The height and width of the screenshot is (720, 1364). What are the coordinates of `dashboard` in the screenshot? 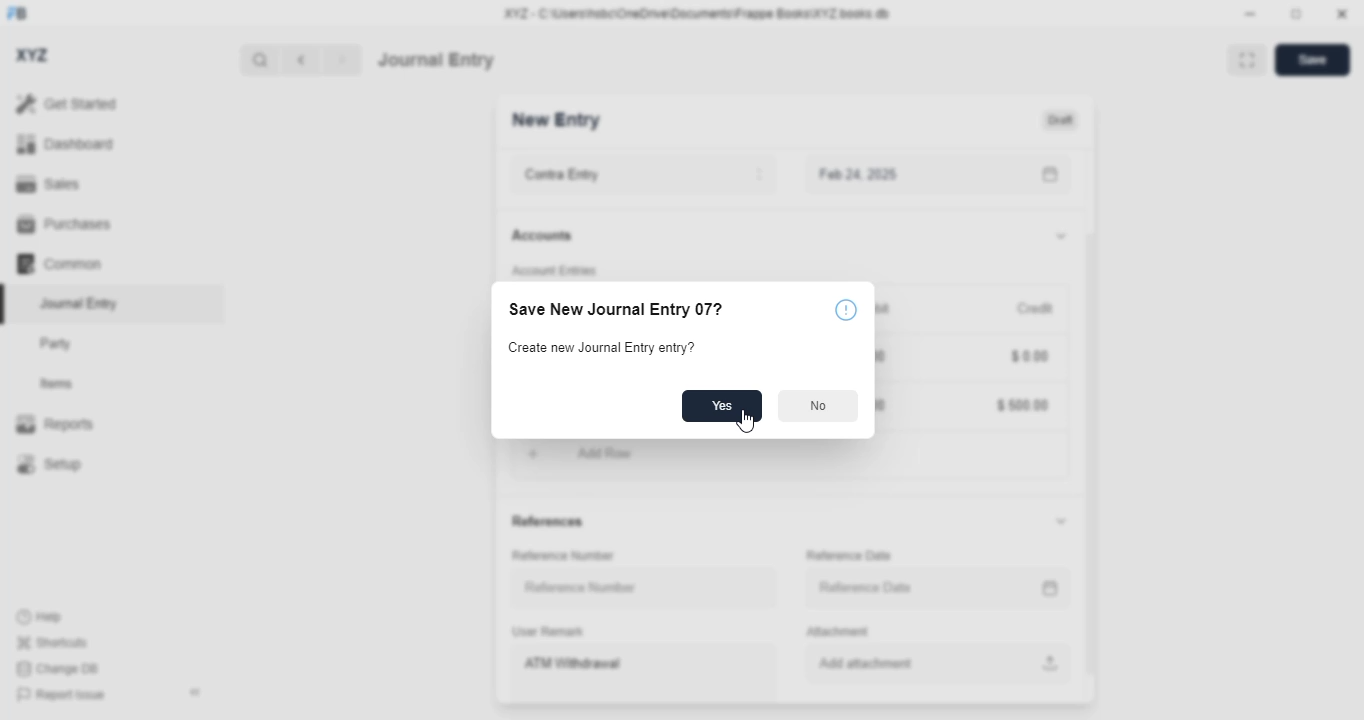 It's located at (65, 143).